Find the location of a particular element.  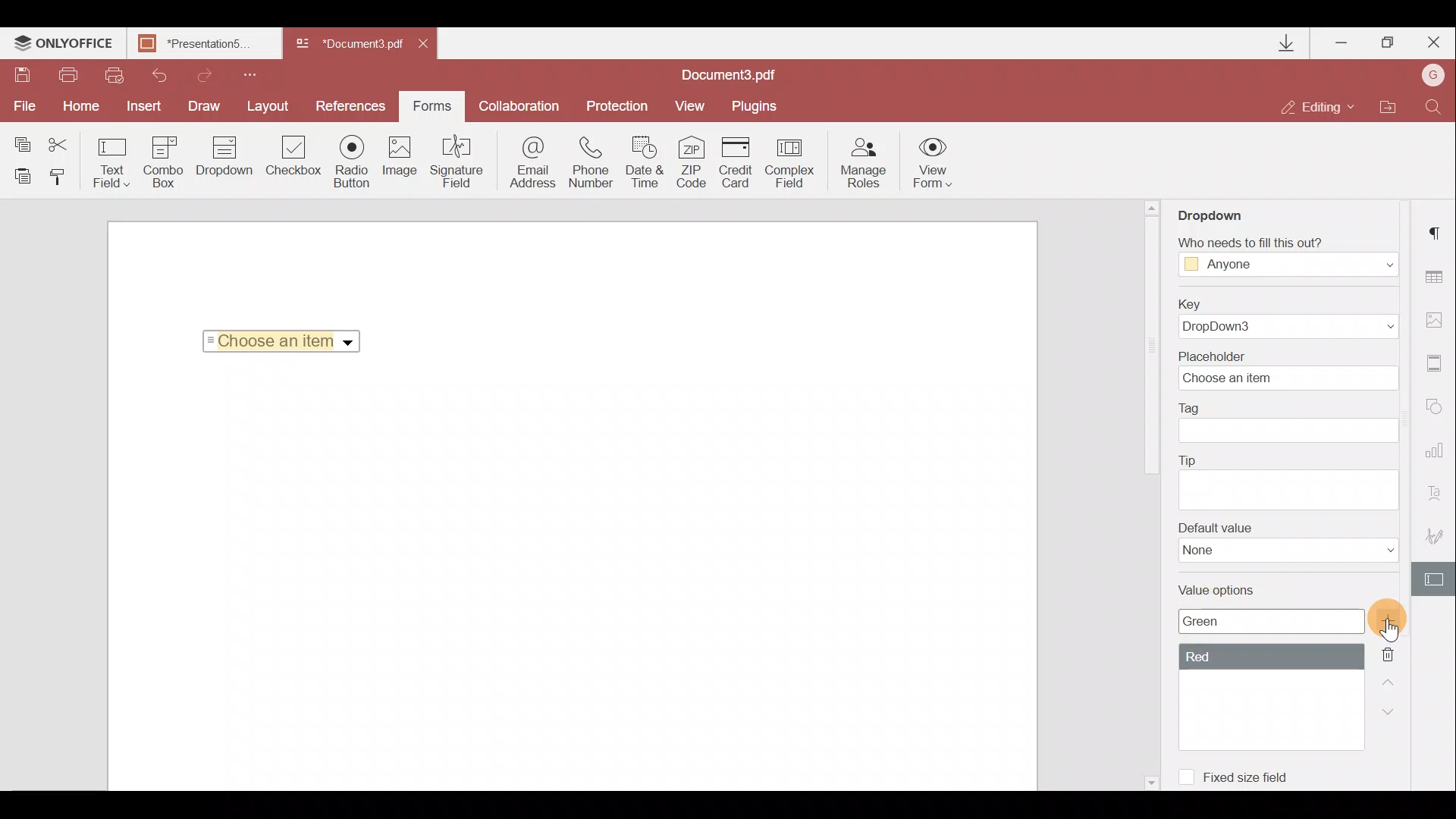

Open file location is located at coordinates (1389, 106).